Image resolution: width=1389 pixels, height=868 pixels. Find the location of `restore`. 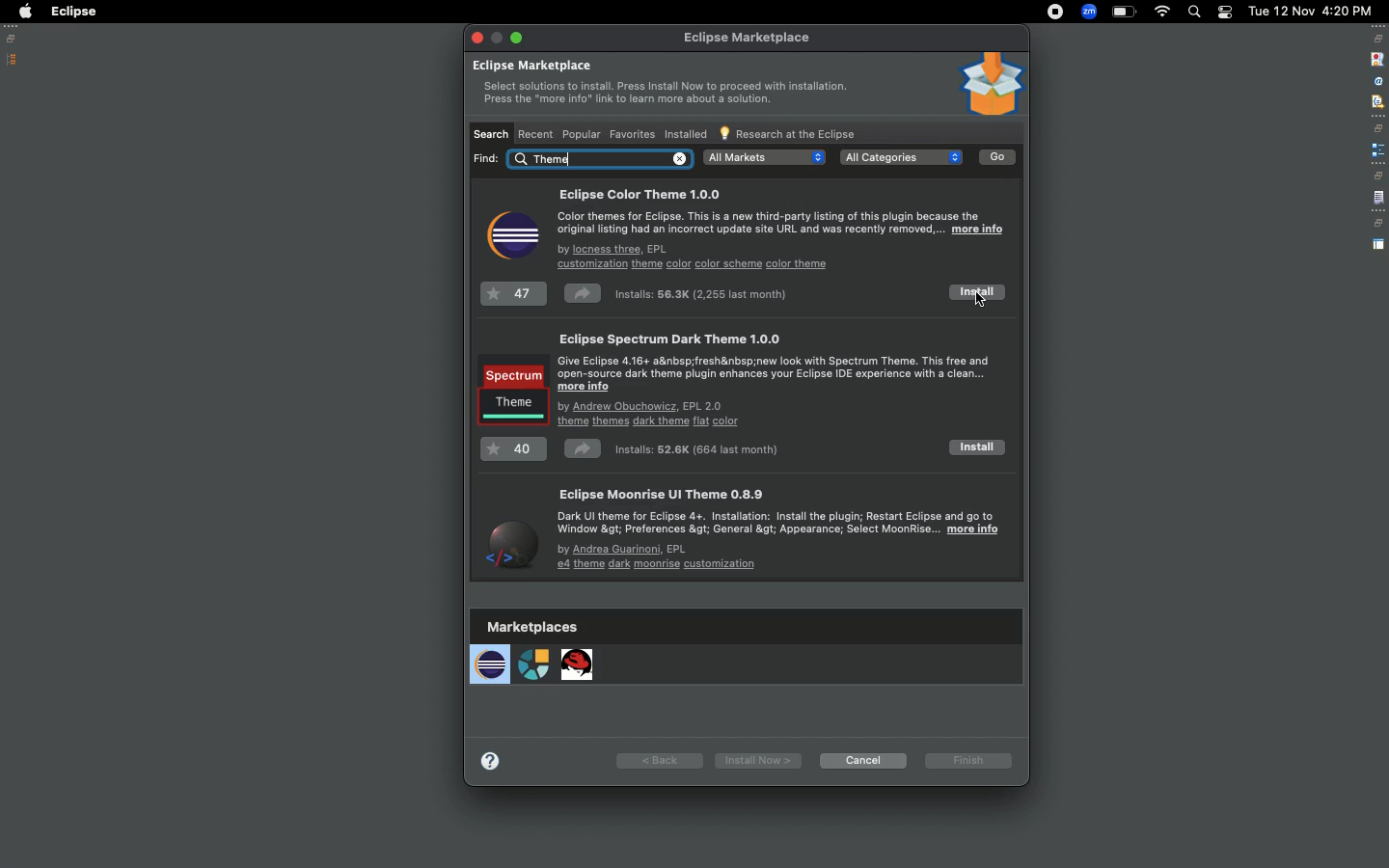

restore is located at coordinates (1379, 128).